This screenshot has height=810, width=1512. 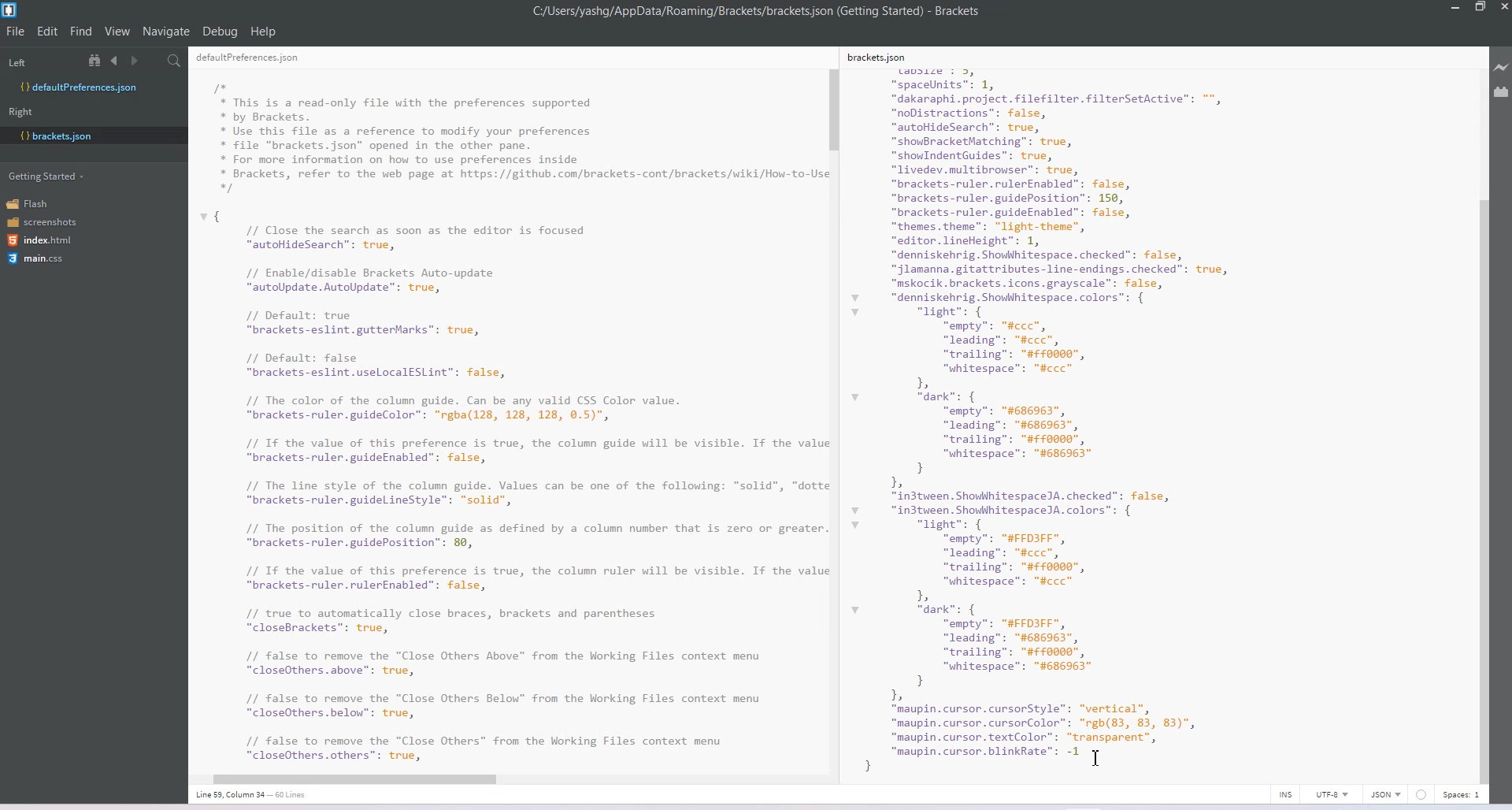 I want to click on Flash, so click(x=33, y=203).